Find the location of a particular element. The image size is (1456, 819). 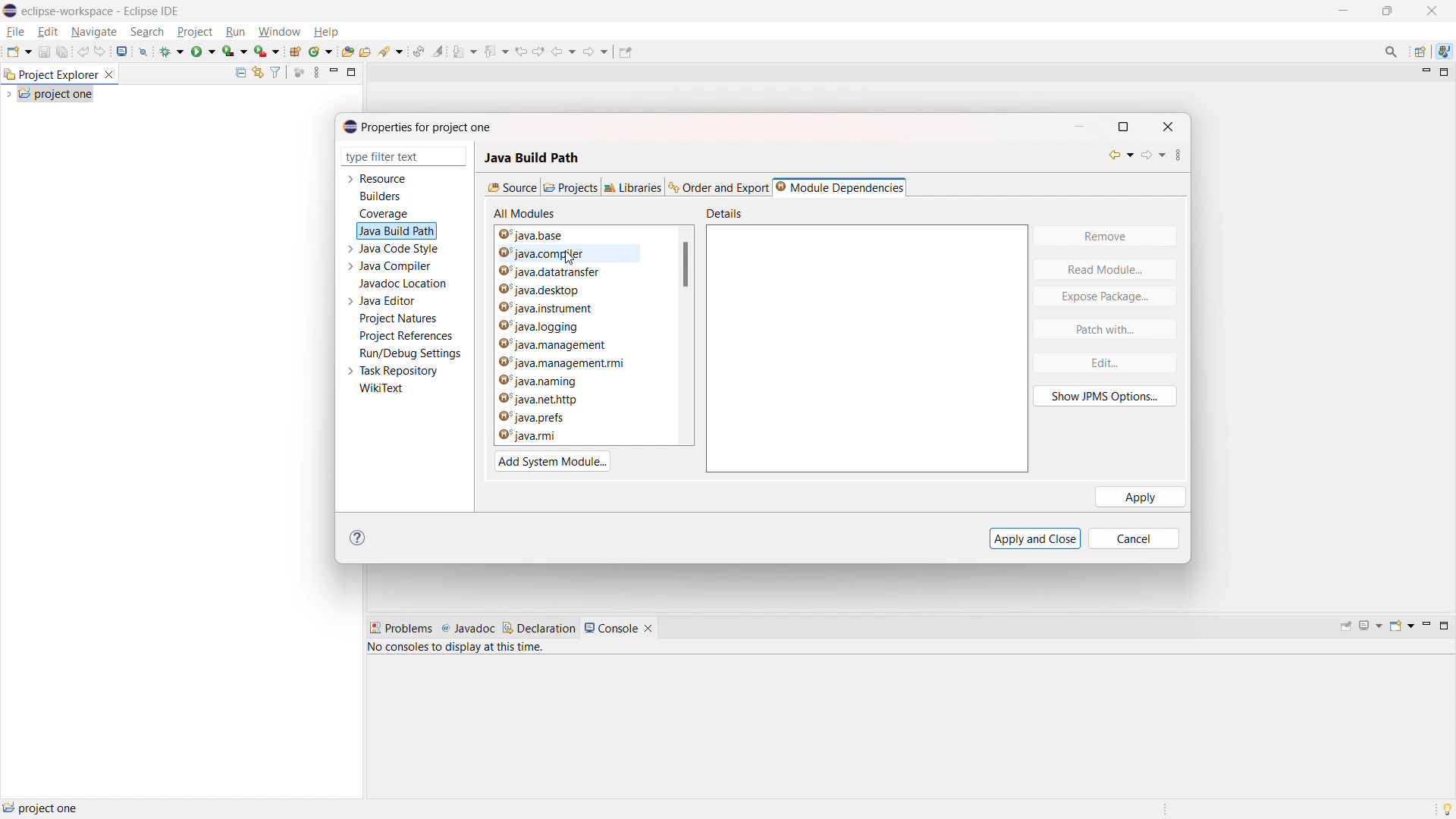

java.prefs is located at coordinates (555, 418).